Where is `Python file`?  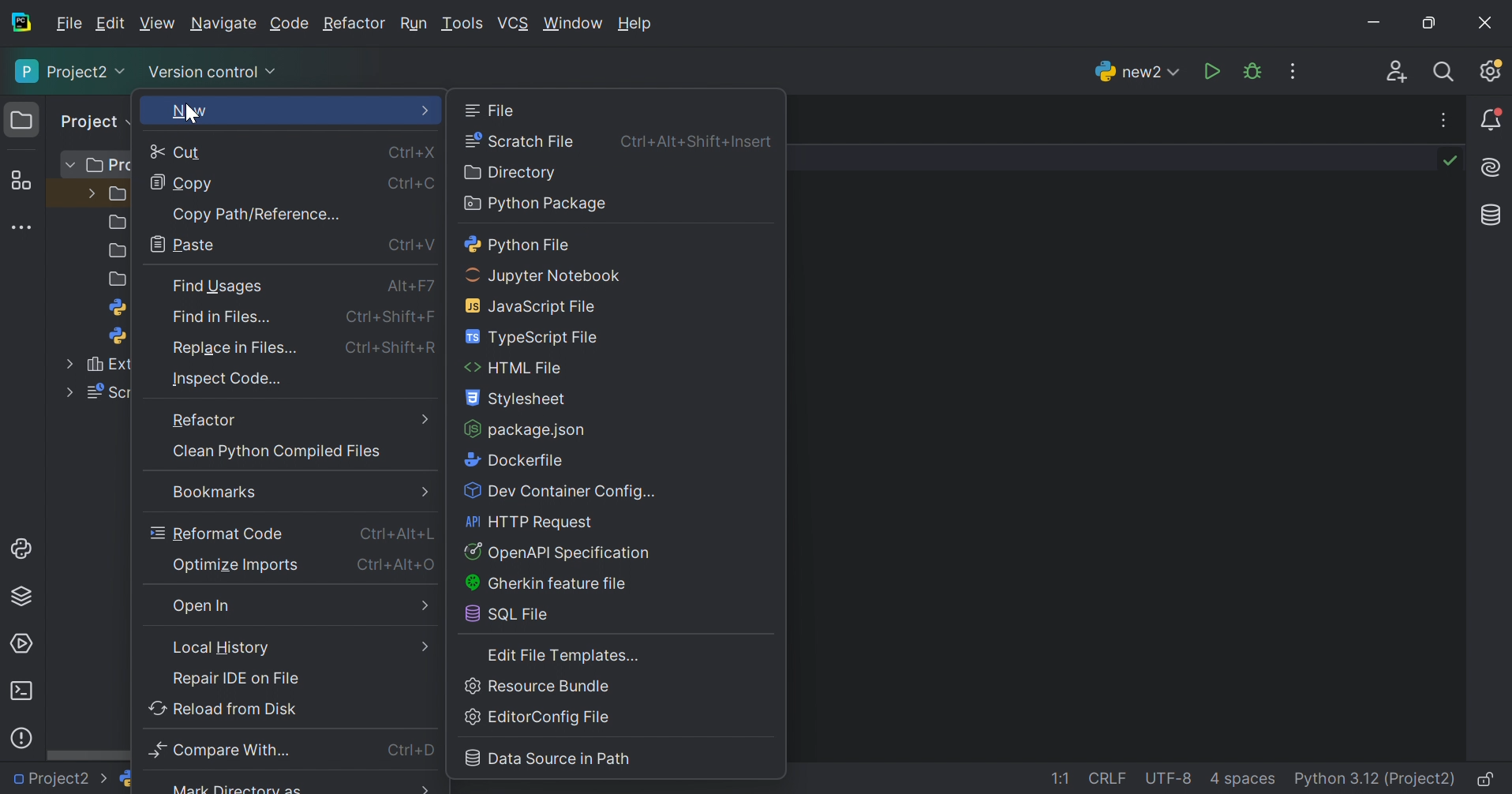 Python file is located at coordinates (519, 245).